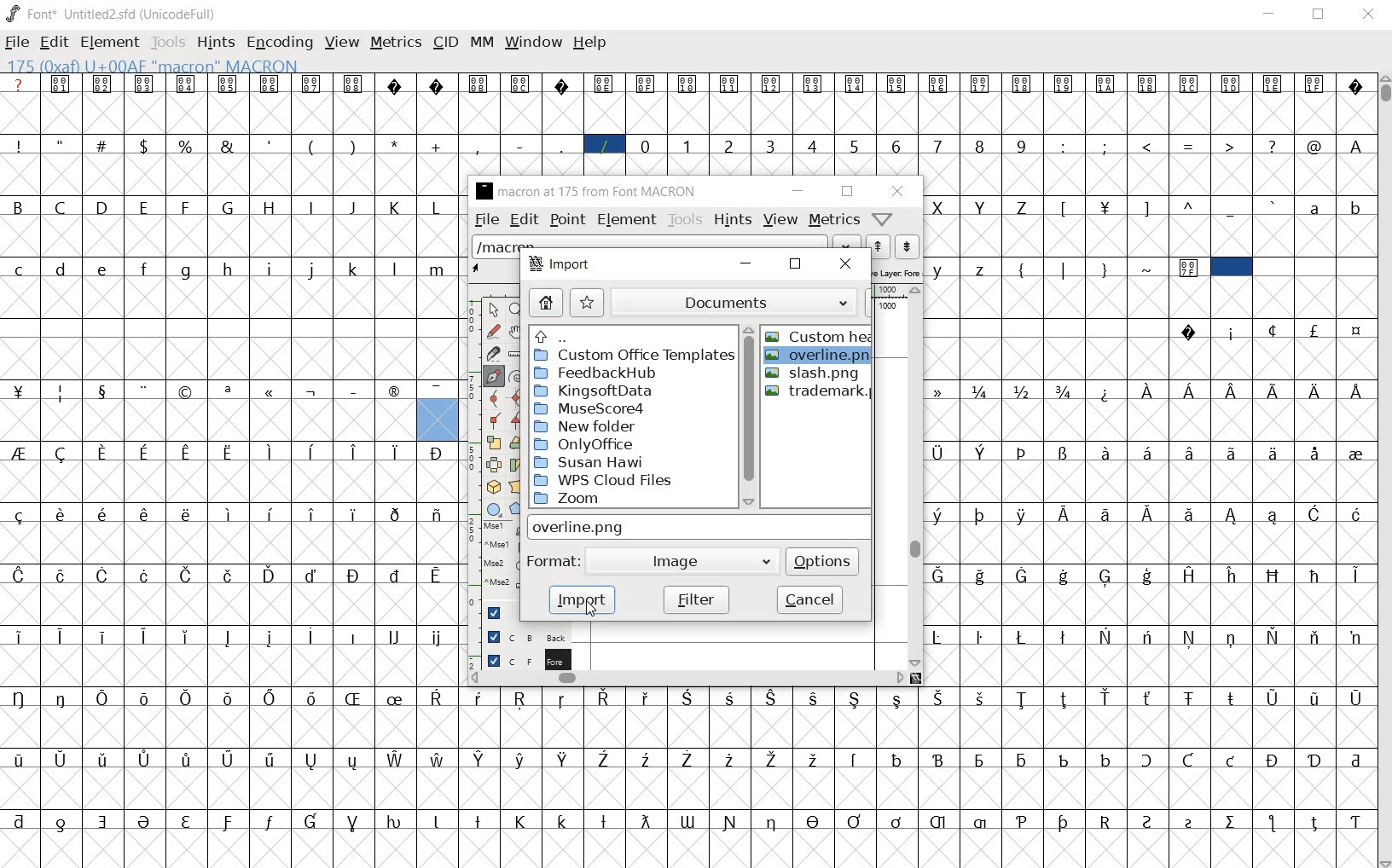 The width and height of the screenshot is (1392, 868). What do you see at coordinates (62, 454) in the screenshot?
I see `Symbol` at bounding box center [62, 454].